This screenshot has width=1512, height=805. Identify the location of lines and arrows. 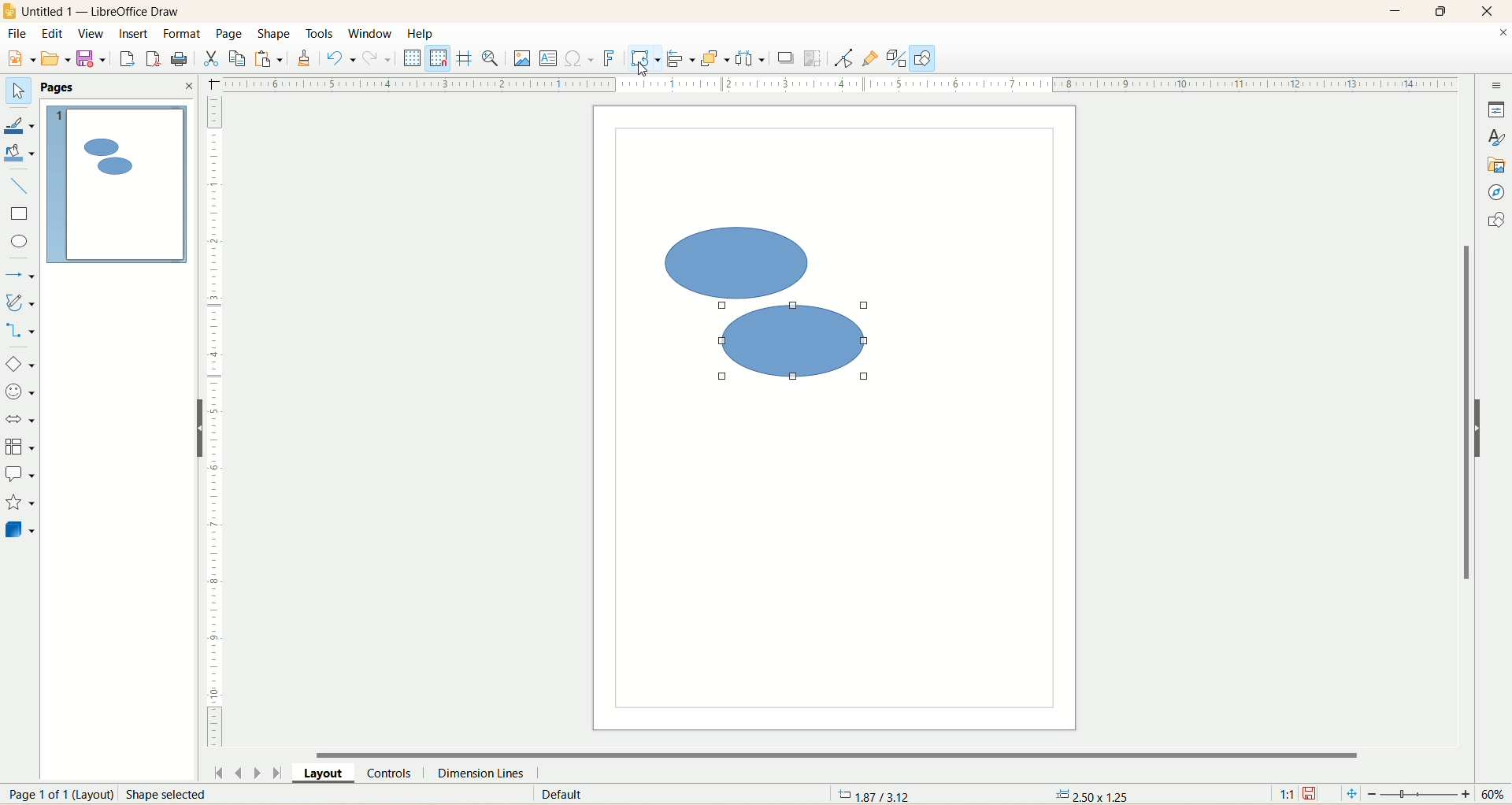
(20, 275).